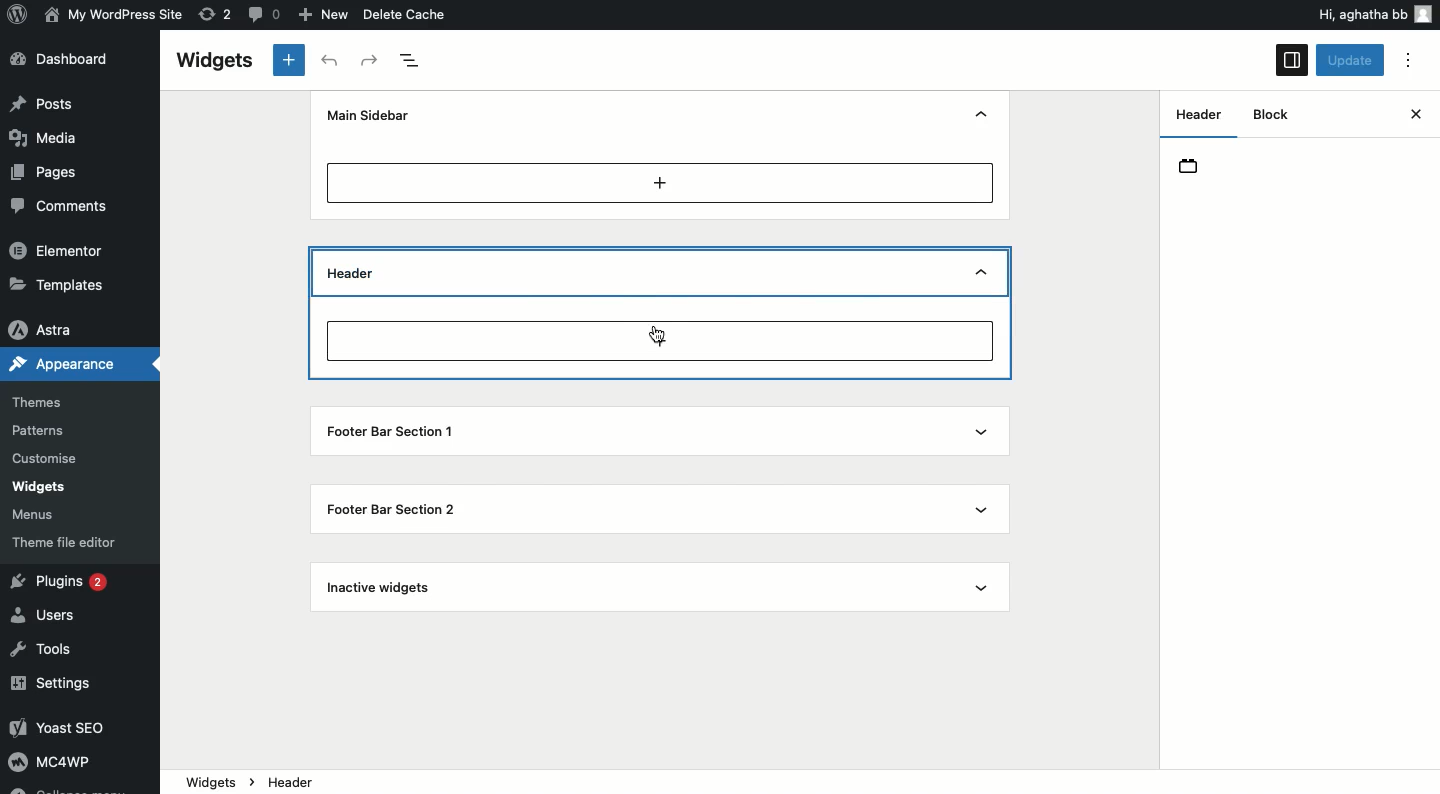 The image size is (1440, 794). Describe the element at coordinates (66, 788) in the screenshot. I see `Collapse menu` at that location.